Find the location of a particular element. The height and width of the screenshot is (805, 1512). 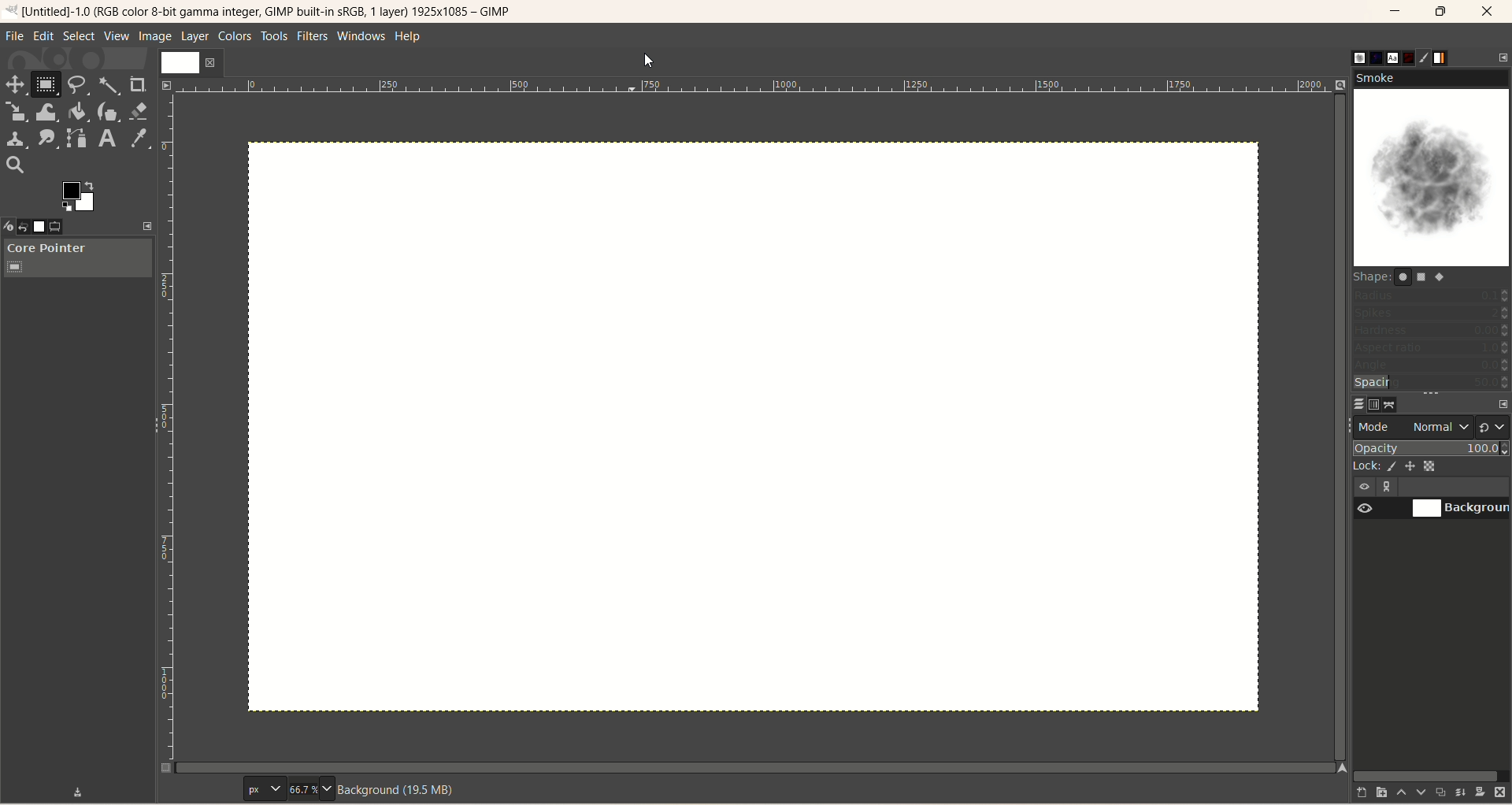

edit is located at coordinates (44, 36).